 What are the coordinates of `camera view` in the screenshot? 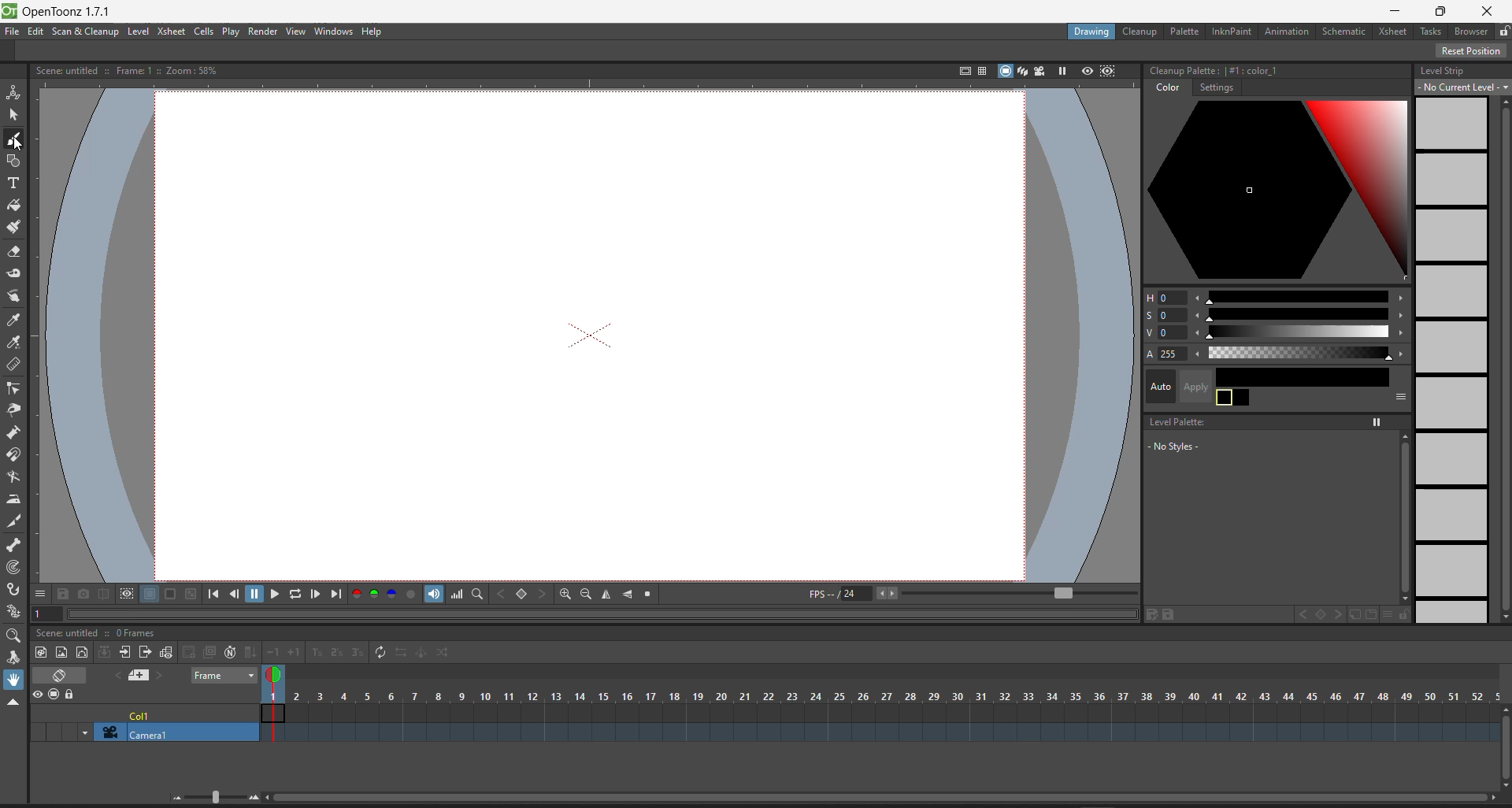 It's located at (1042, 69).